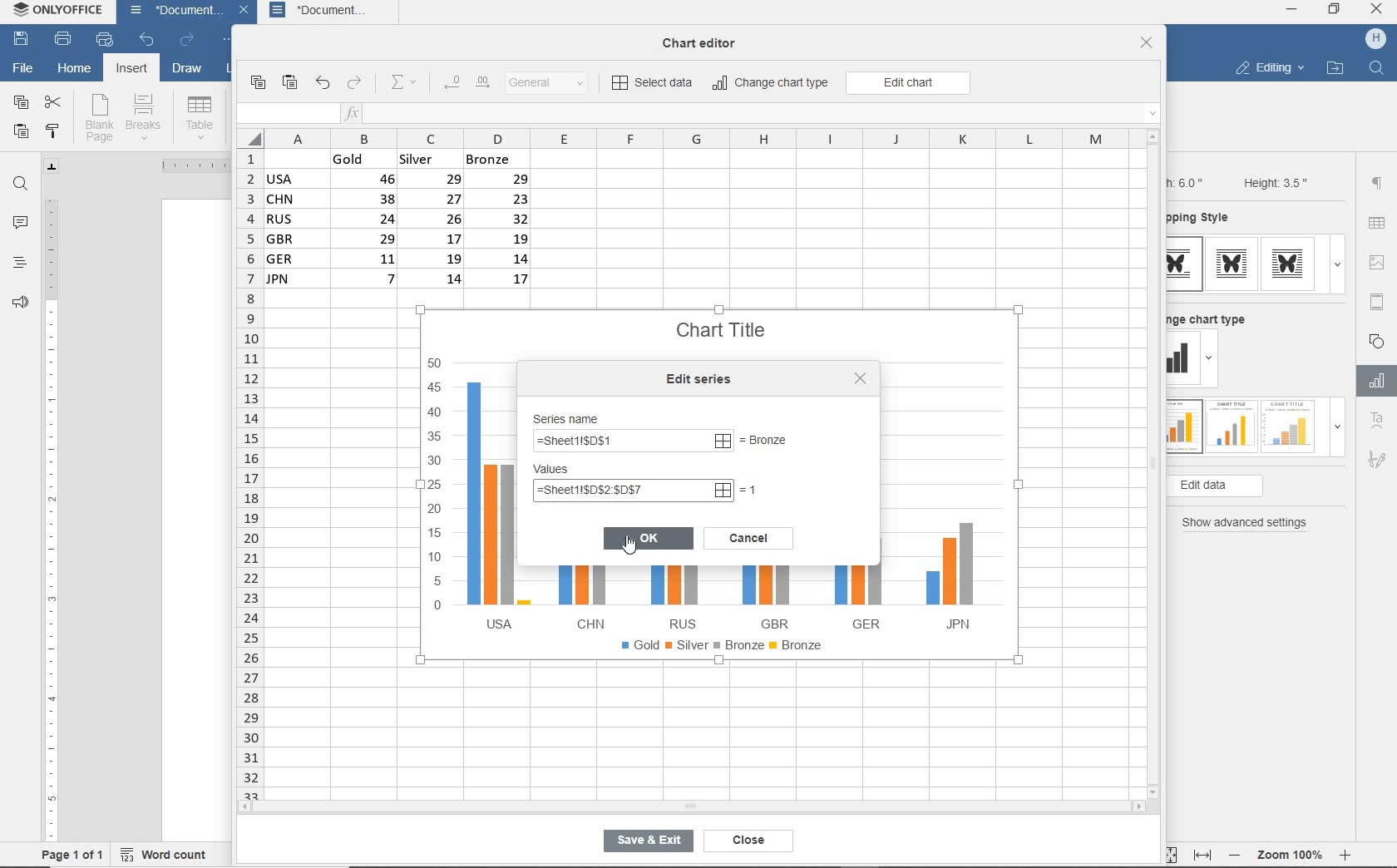  What do you see at coordinates (1249, 523) in the screenshot?
I see `show advanced settings` at bounding box center [1249, 523].